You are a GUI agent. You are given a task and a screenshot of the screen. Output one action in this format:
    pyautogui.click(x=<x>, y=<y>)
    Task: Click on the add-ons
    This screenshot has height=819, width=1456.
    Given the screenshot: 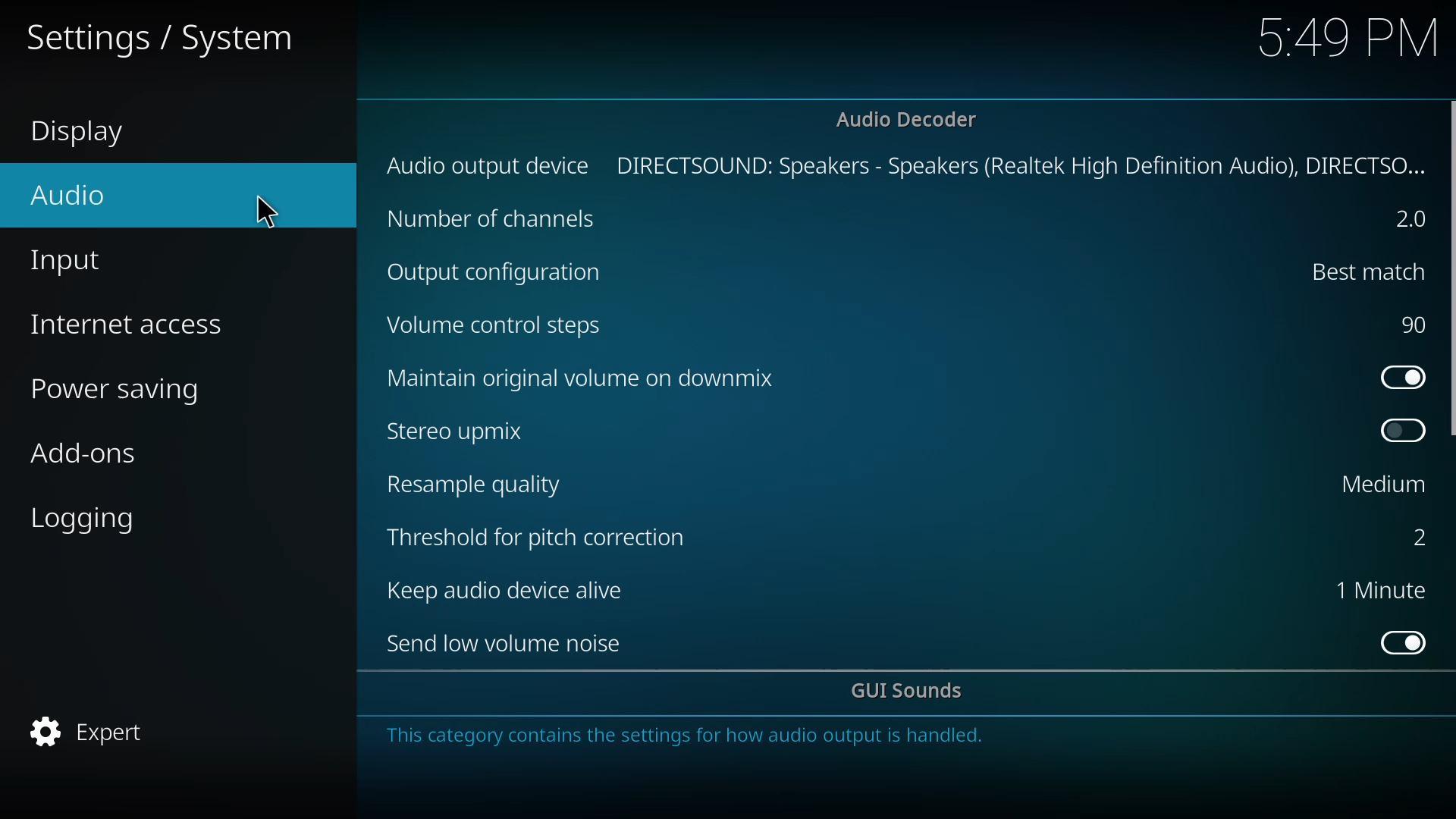 What is the action you would take?
    pyautogui.click(x=87, y=454)
    